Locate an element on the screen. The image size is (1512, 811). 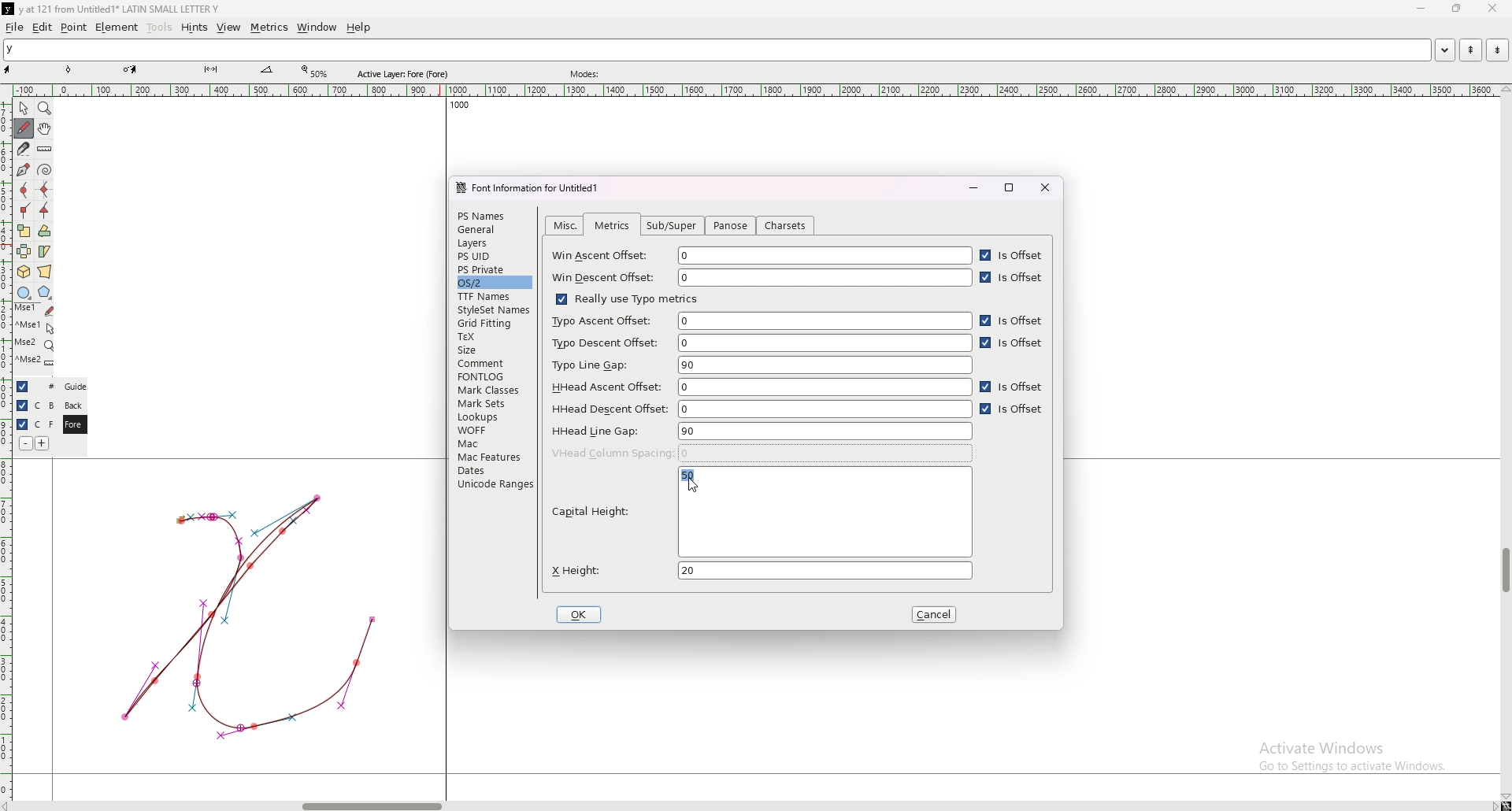
magnify is located at coordinates (45, 108).